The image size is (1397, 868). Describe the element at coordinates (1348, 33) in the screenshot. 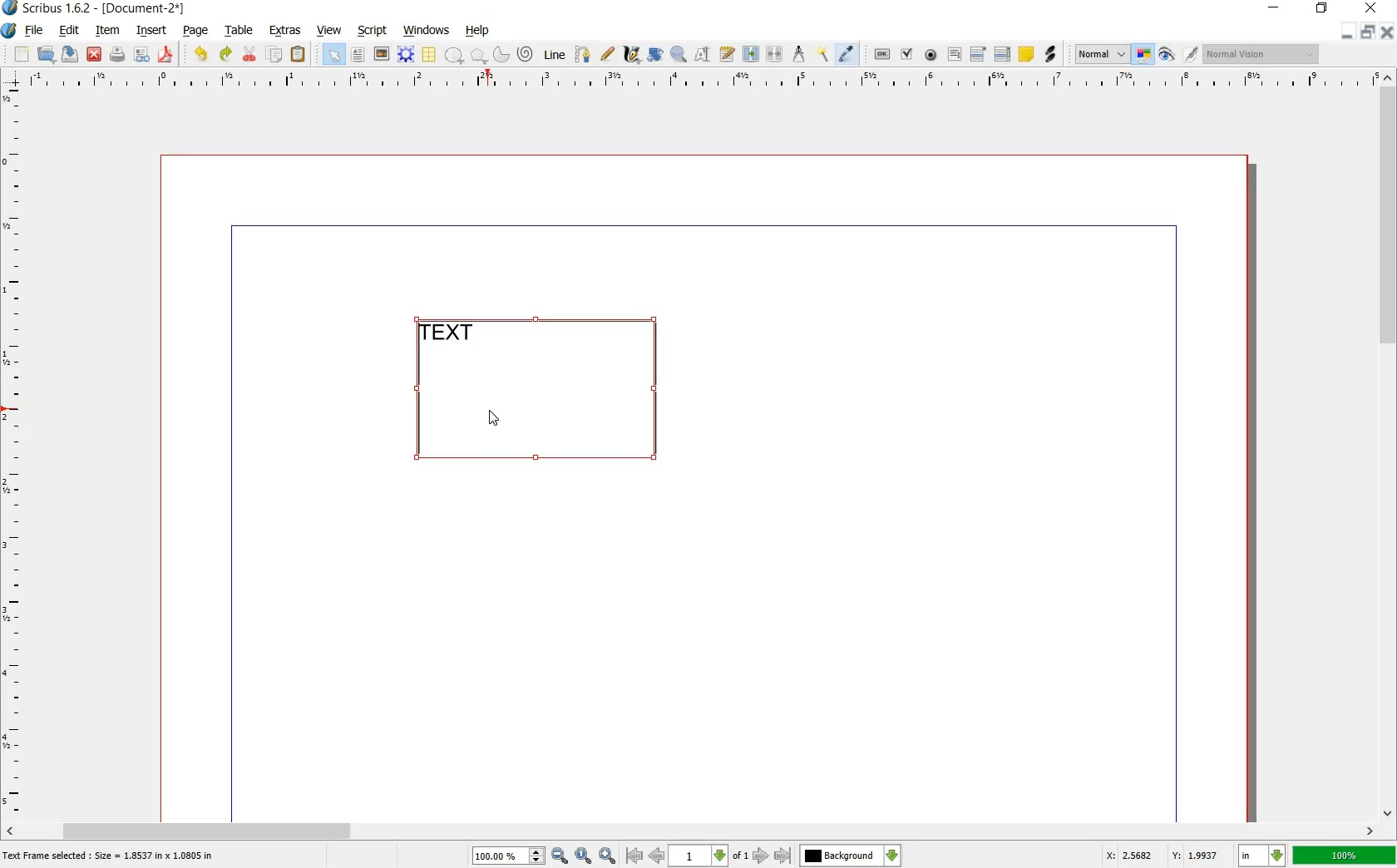

I see `minimize` at that location.